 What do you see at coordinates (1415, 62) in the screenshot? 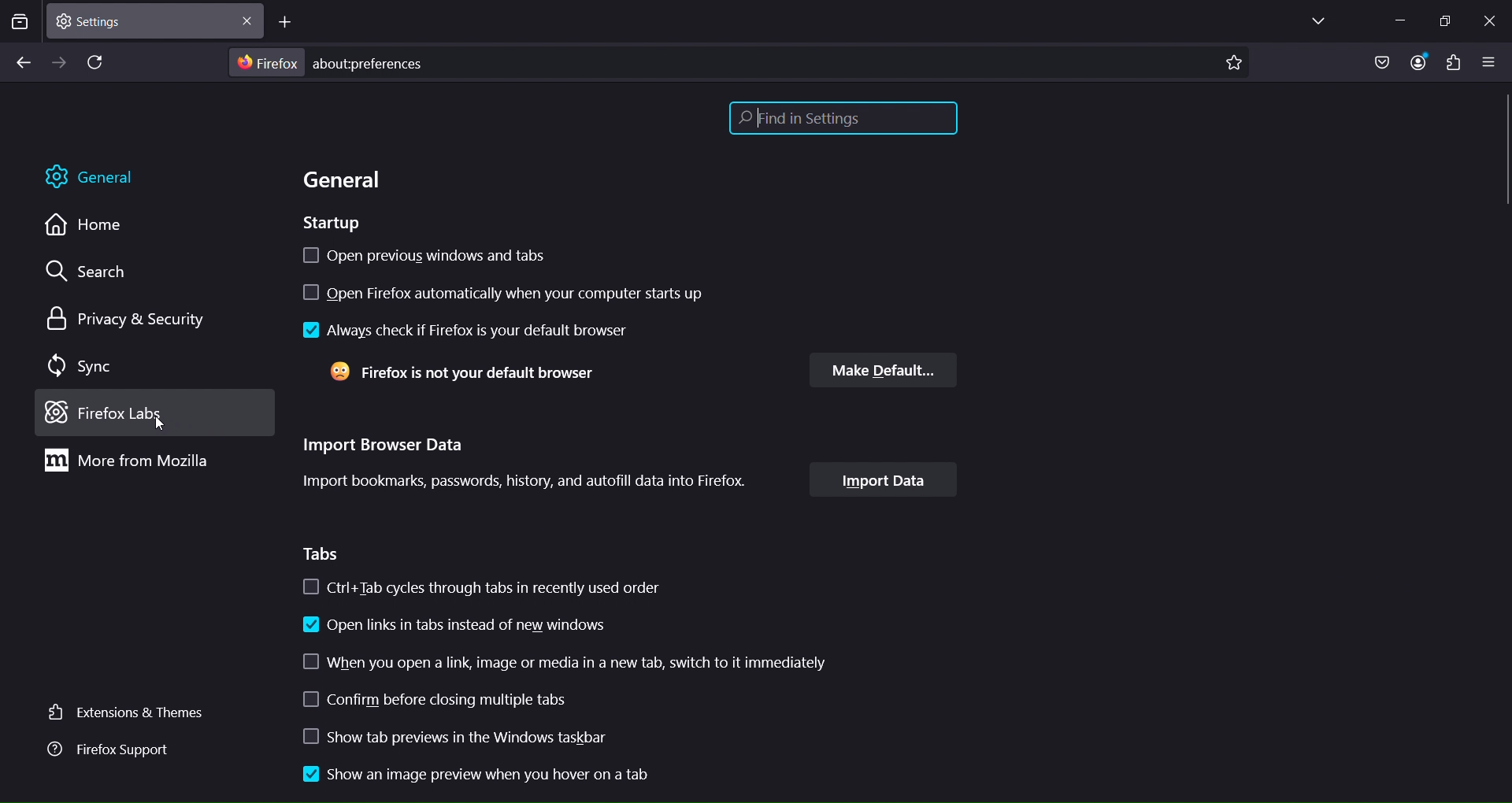
I see `account` at bounding box center [1415, 62].